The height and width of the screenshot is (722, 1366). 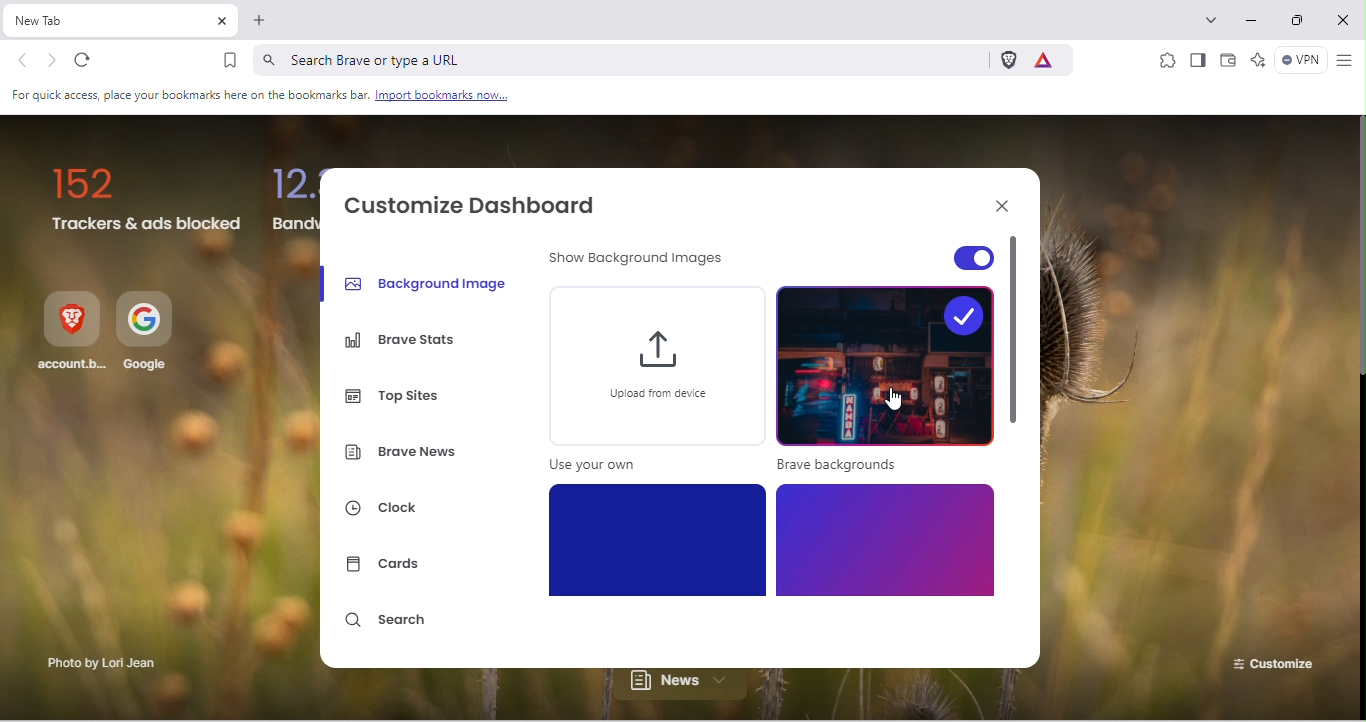 I want to click on New tab, so click(x=107, y=21).